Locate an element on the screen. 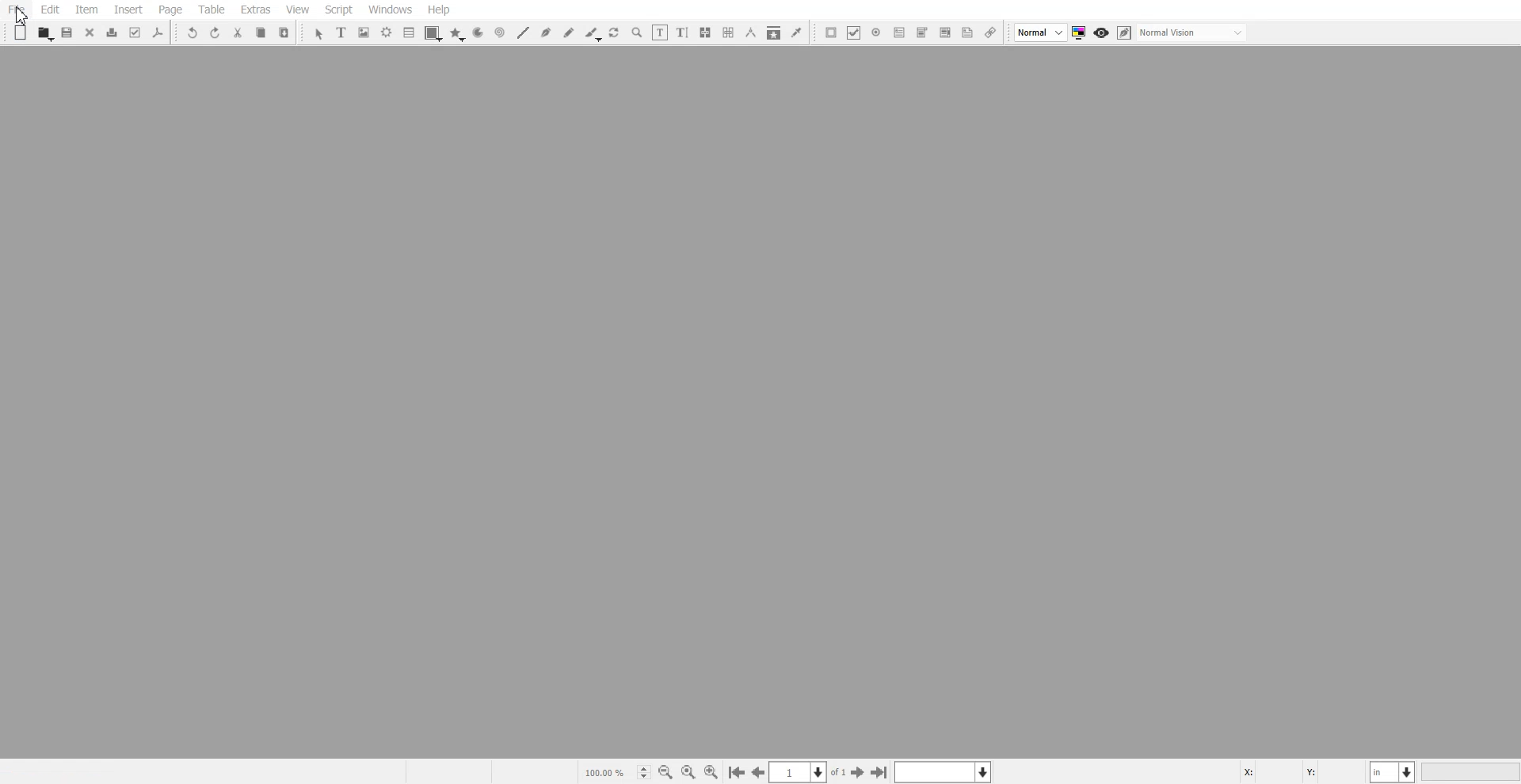 This screenshot has width=1521, height=784. Zoom In is located at coordinates (711, 771).